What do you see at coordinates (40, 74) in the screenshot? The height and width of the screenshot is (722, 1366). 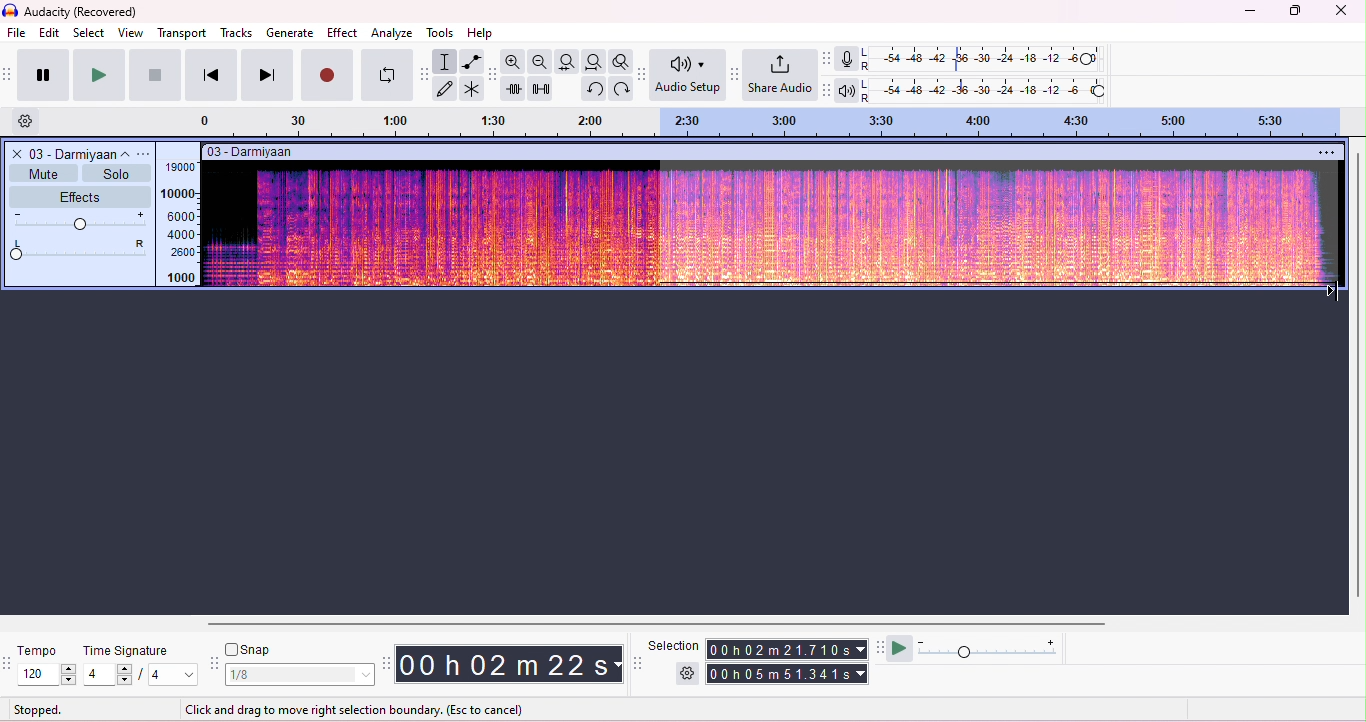 I see `pause` at bounding box center [40, 74].